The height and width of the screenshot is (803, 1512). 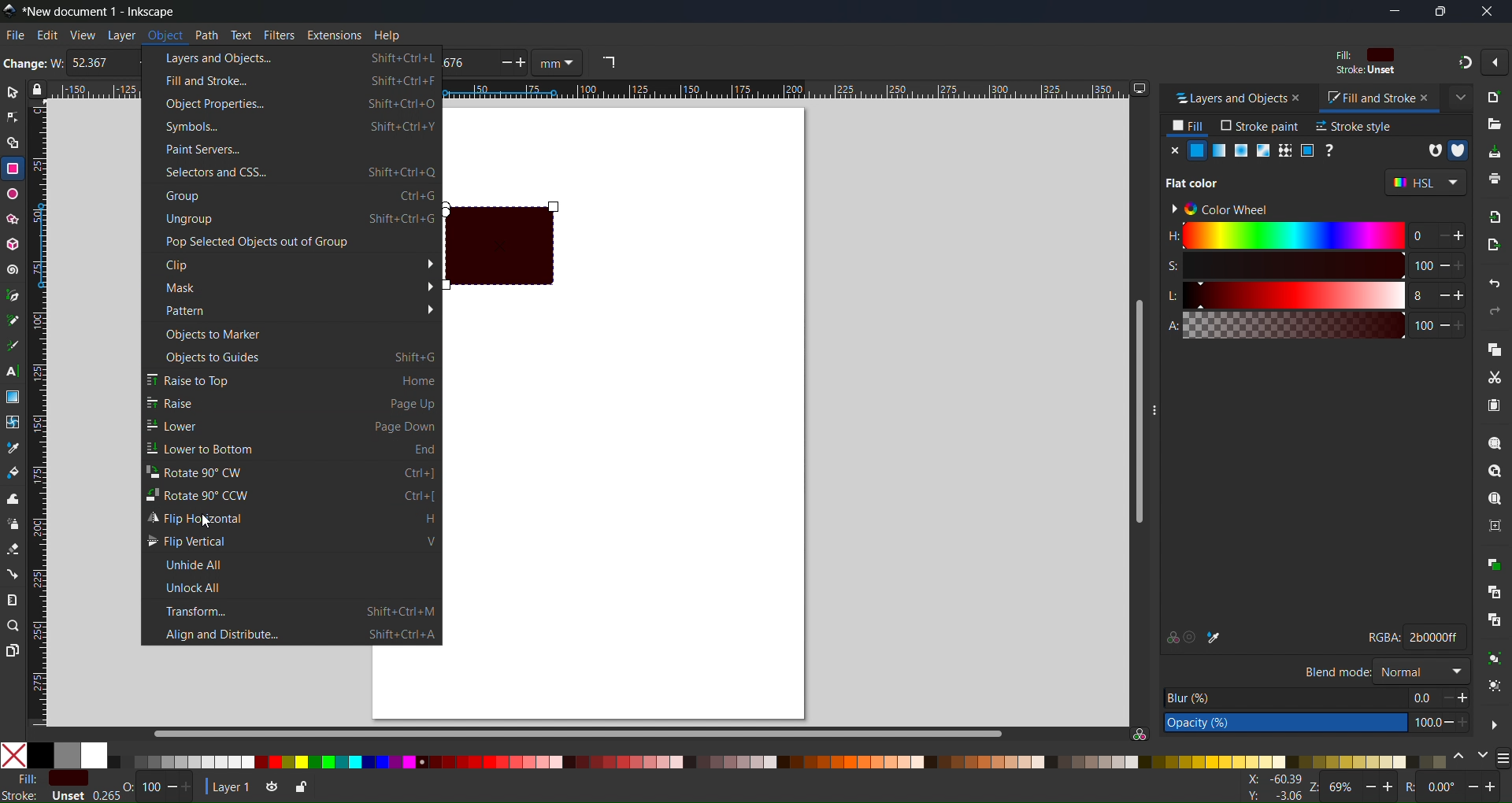 What do you see at coordinates (193, 787) in the screenshot?
I see `Maximize opacity` at bounding box center [193, 787].